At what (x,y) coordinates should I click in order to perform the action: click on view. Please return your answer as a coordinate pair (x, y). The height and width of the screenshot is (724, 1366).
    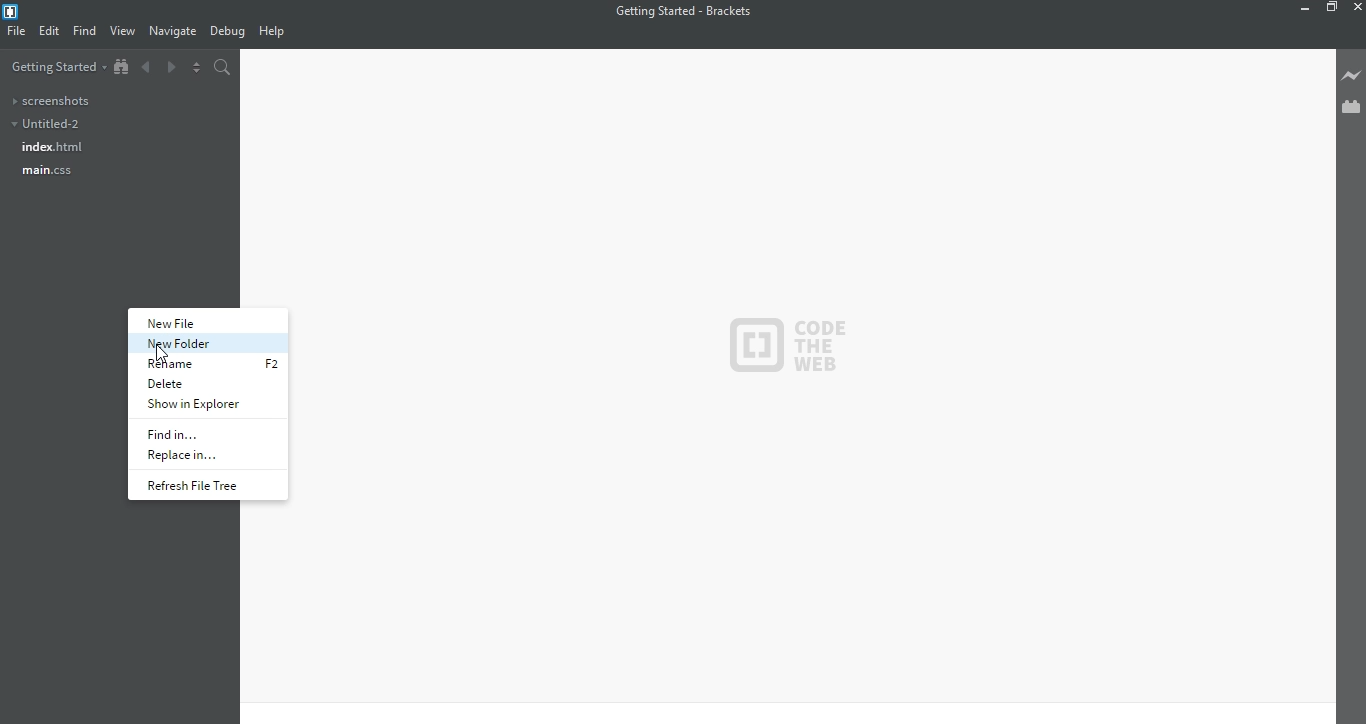
    Looking at the image, I should click on (123, 31).